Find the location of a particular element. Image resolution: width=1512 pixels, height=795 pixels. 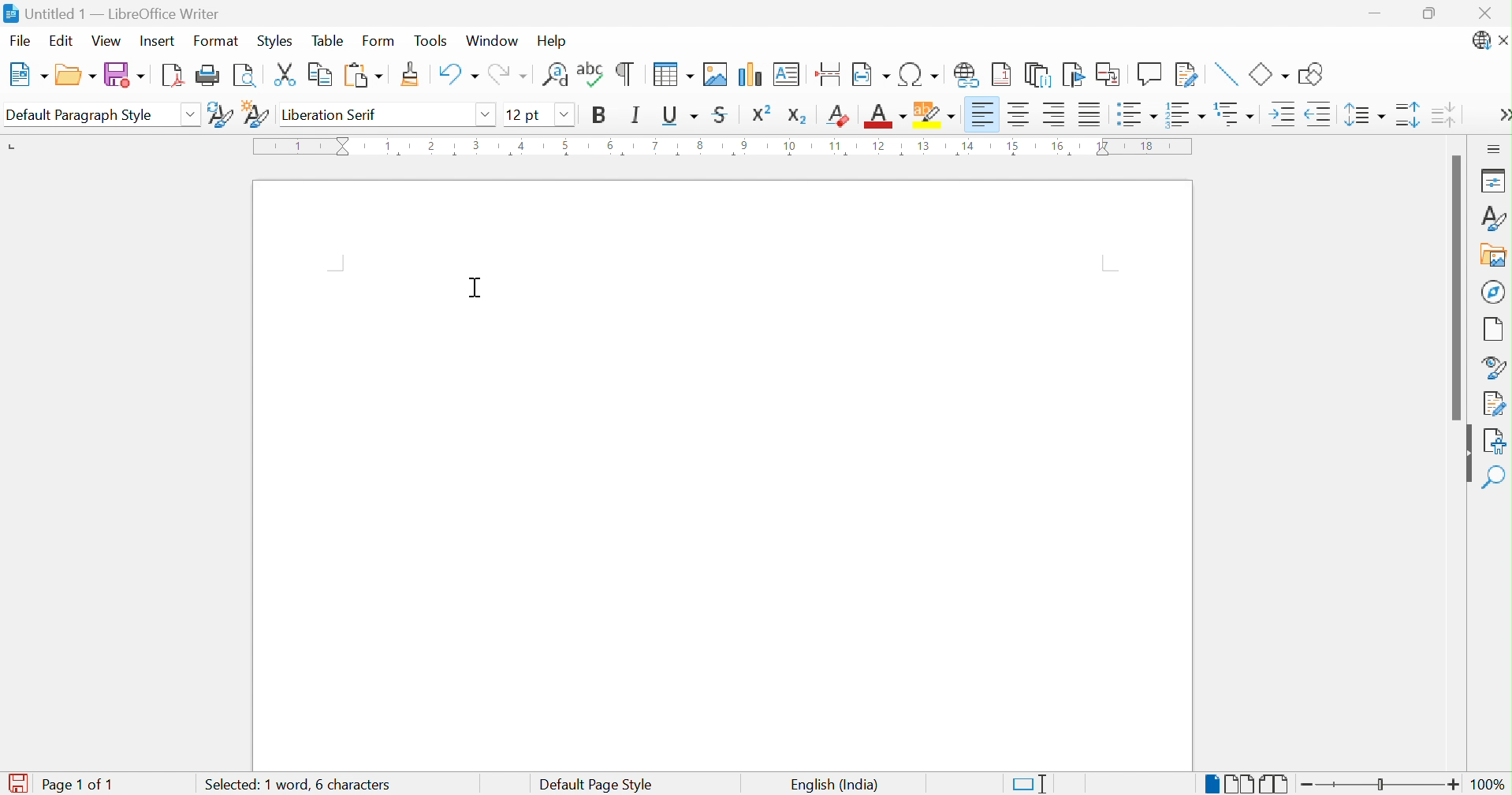

Draw Basic Shapes is located at coordinates (1312, 74).